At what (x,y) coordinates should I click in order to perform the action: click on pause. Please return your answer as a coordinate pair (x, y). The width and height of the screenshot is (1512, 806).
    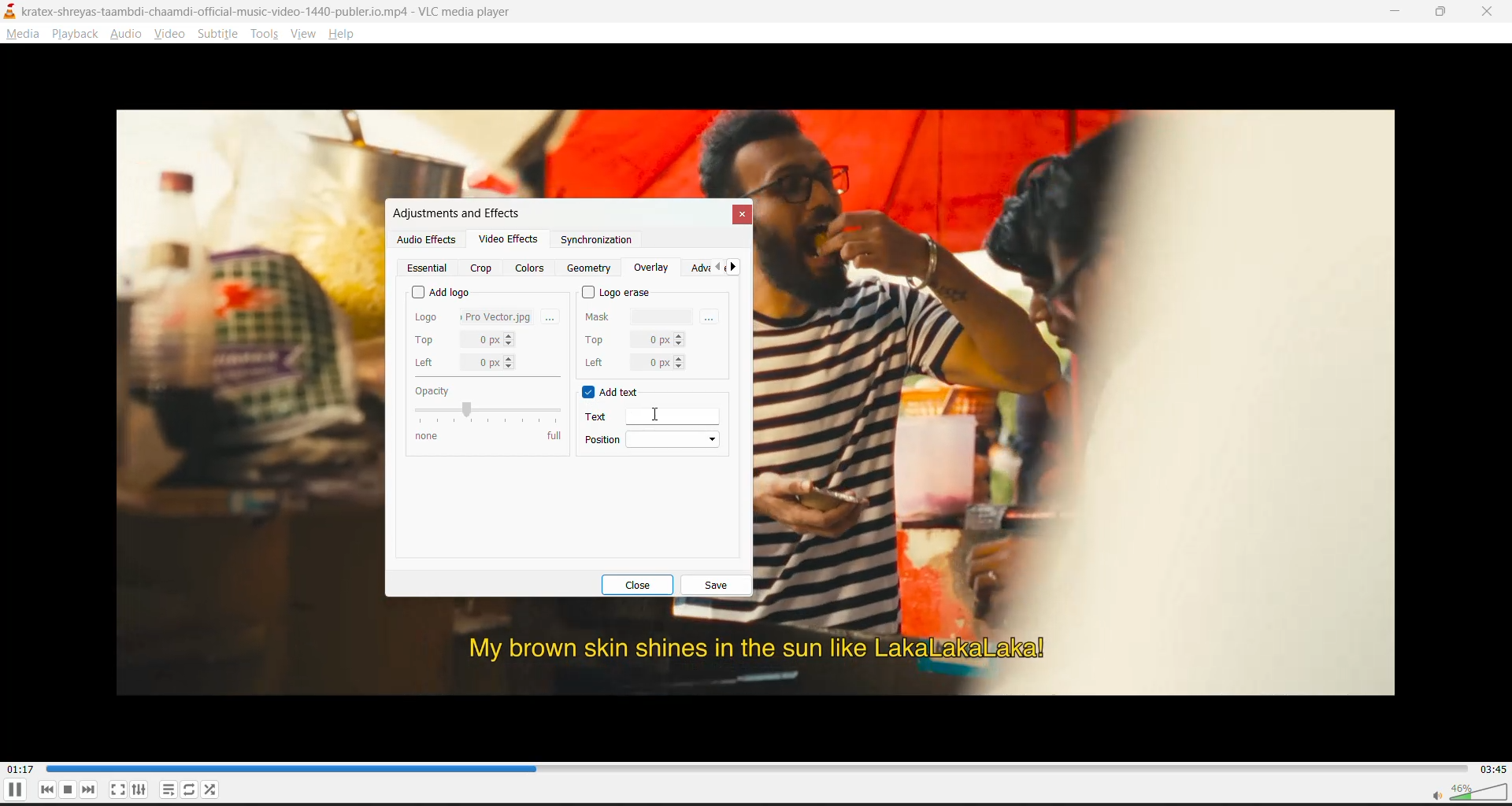
    Looking at the image, I should click on (14, 793).